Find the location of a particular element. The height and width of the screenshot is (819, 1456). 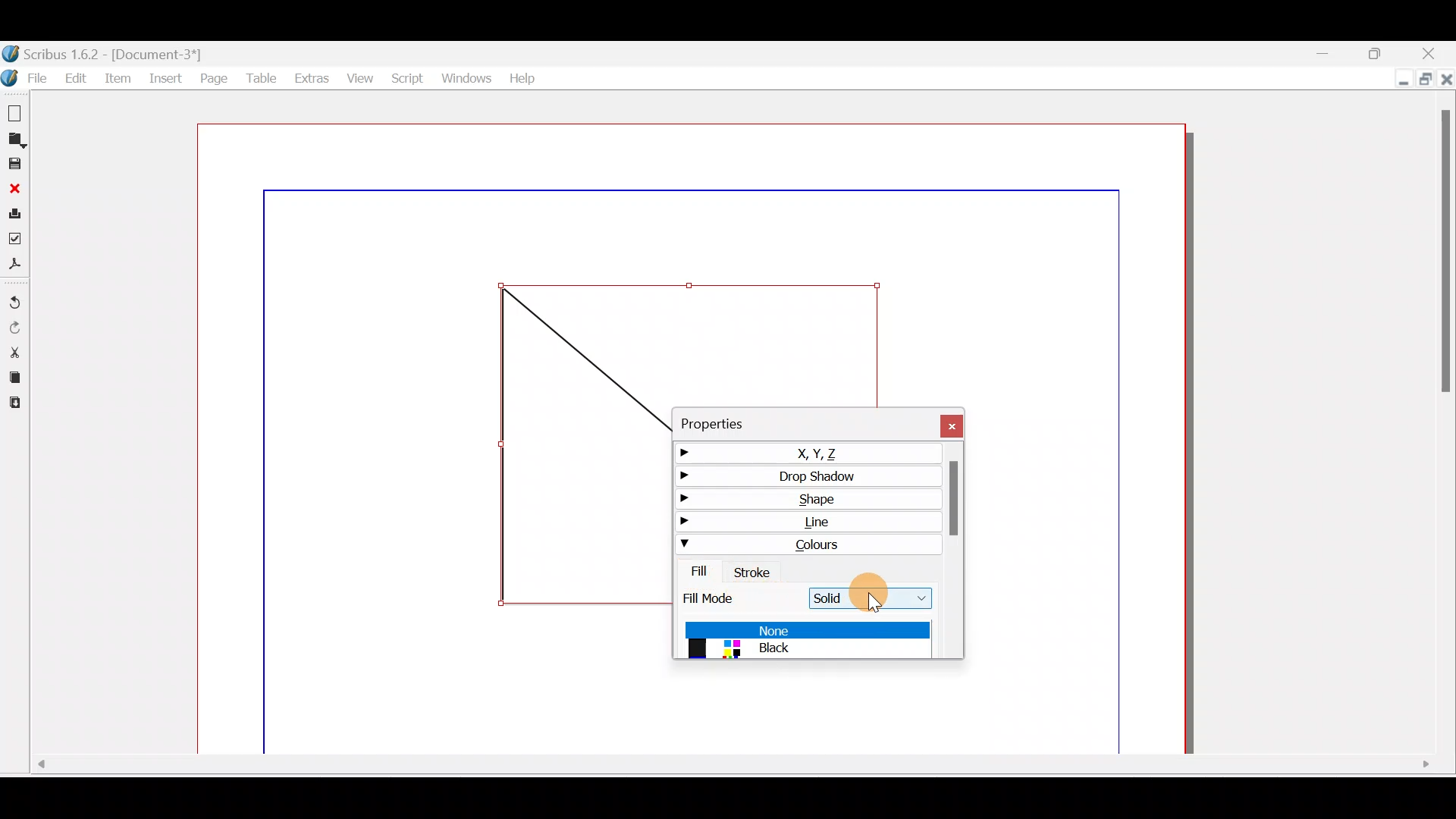

Paste is located at coordinates (19, 403).